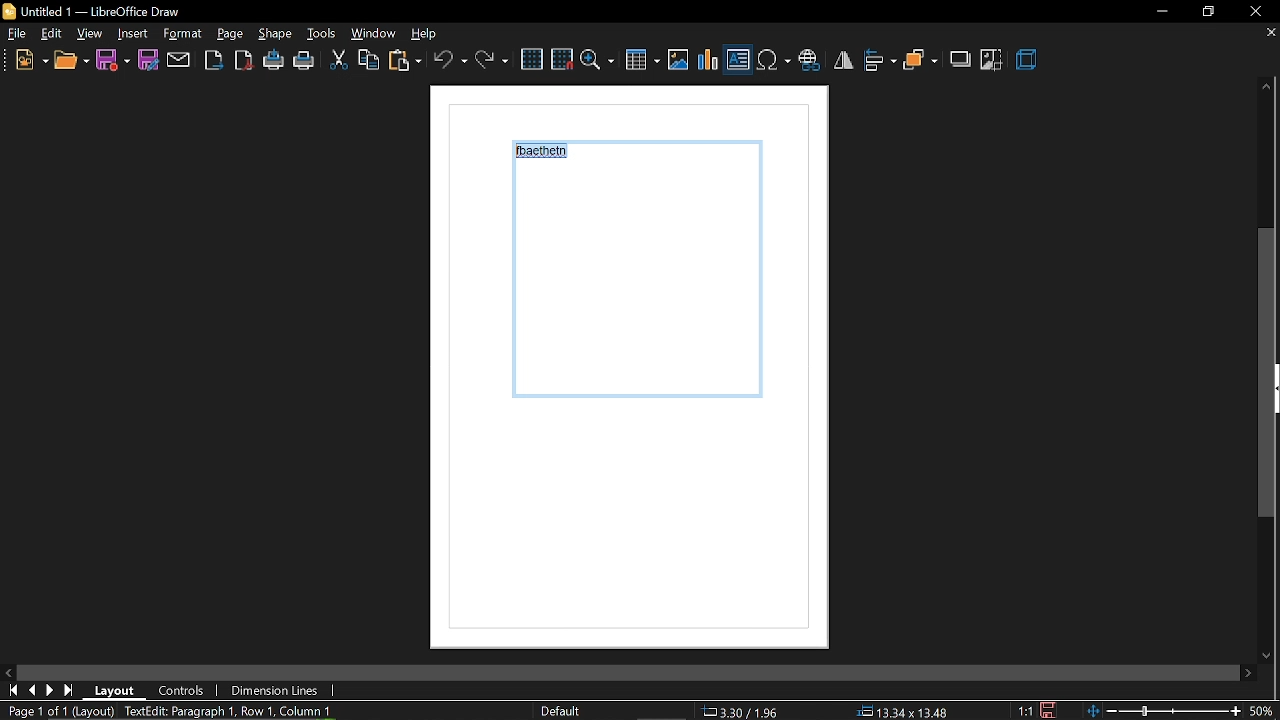 The image size is (1280, 720). Describe the element at coordinates (273, 692) in the screenshot. I see `dimension lines` at that location.